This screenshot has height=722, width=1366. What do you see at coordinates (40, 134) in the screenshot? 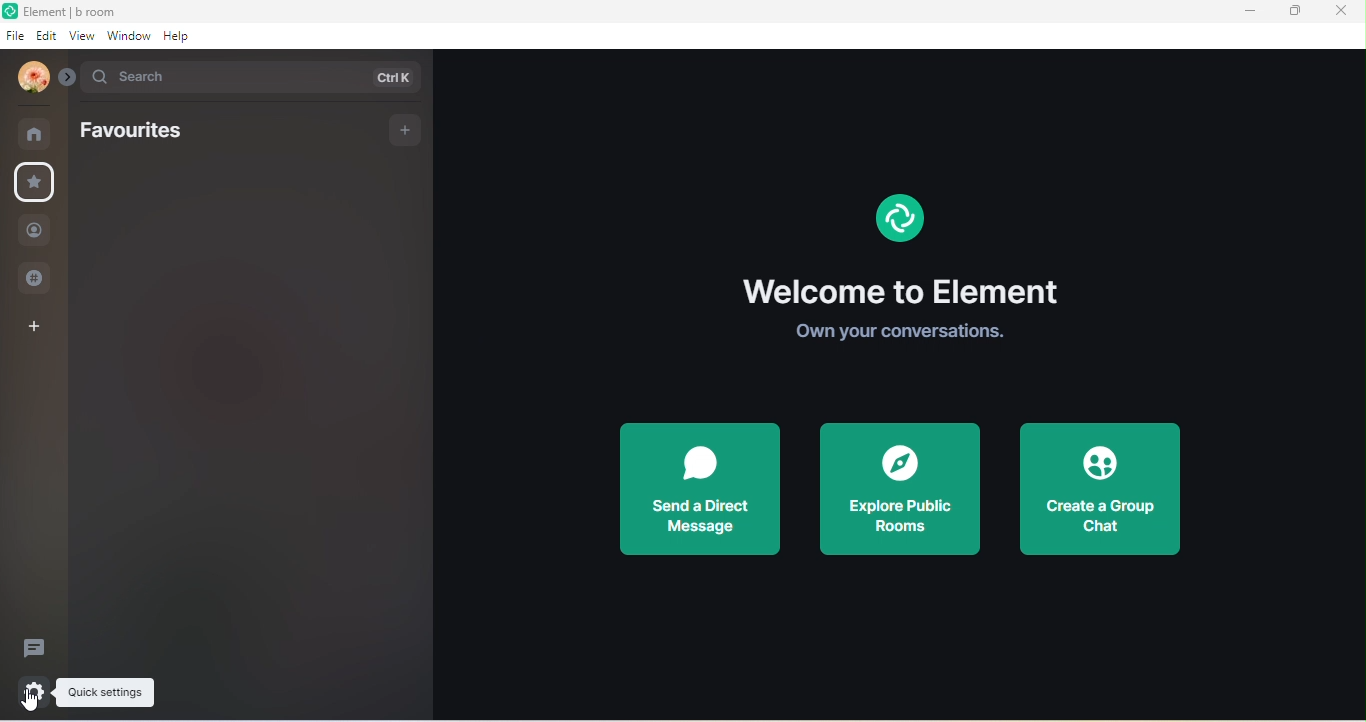
I see `home` at bounding box center [40, 134].